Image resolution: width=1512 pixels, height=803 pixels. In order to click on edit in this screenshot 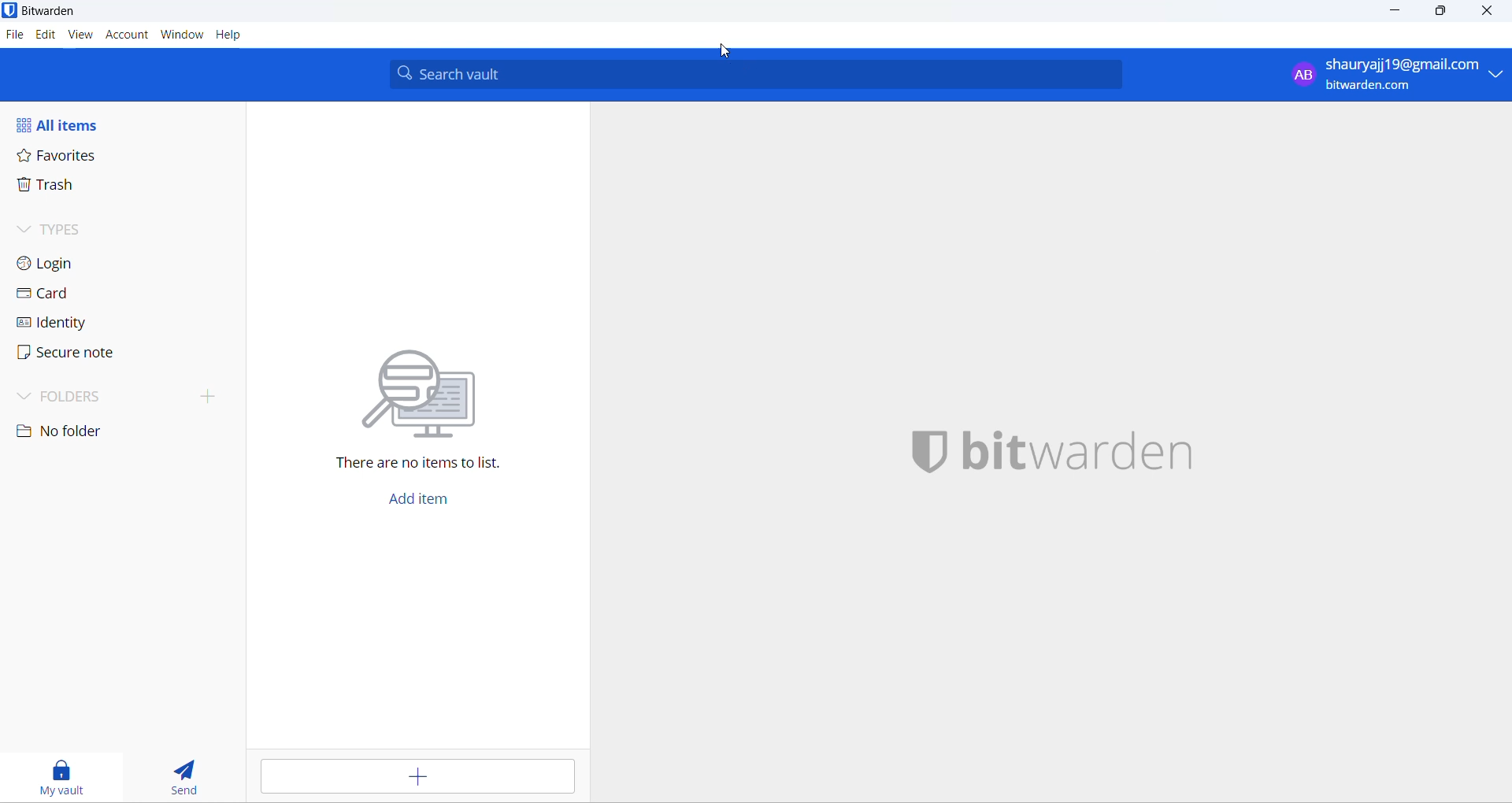, I will do `click(46, 35)`.